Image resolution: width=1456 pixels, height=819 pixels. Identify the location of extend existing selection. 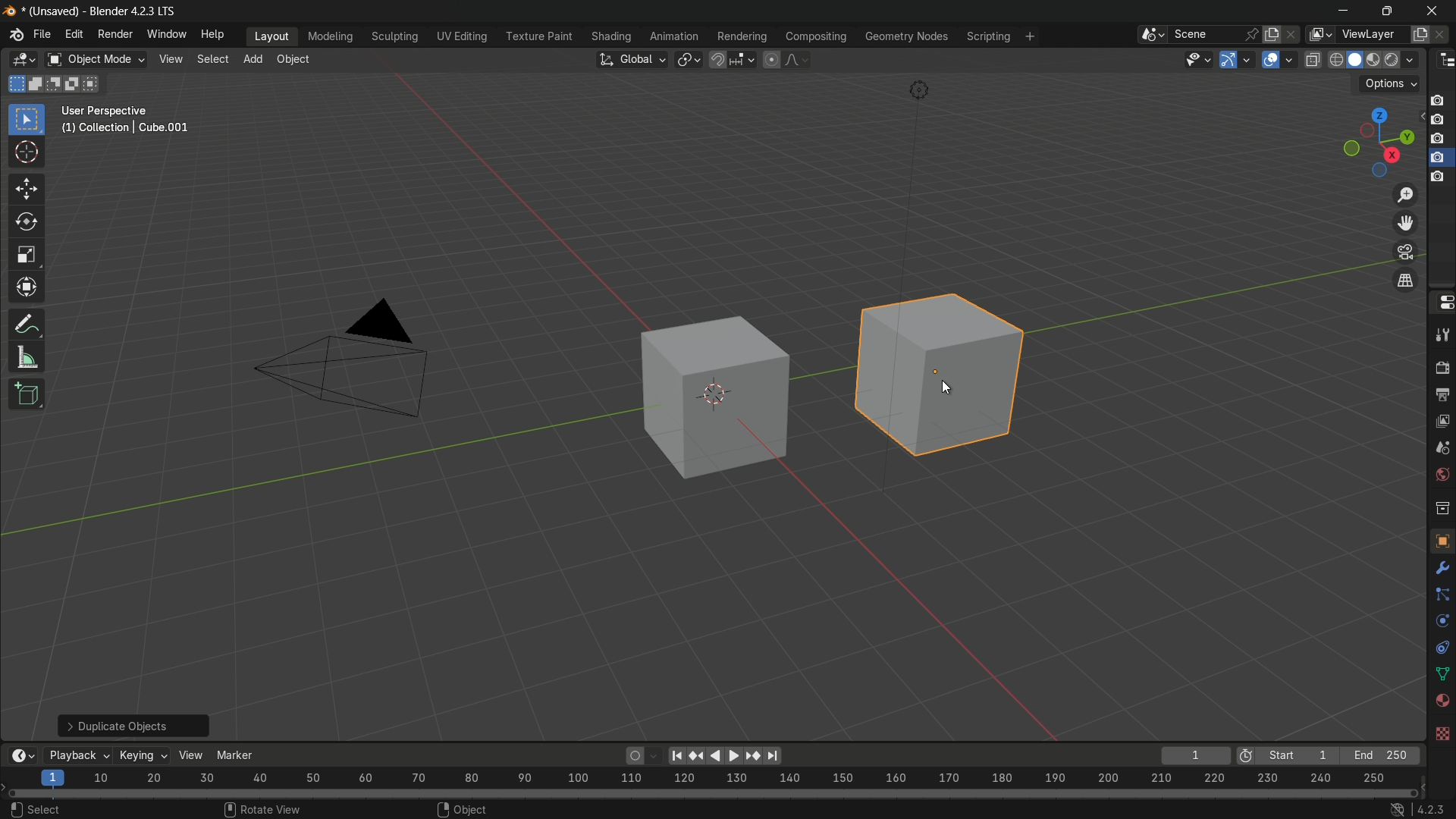
(37, 85).